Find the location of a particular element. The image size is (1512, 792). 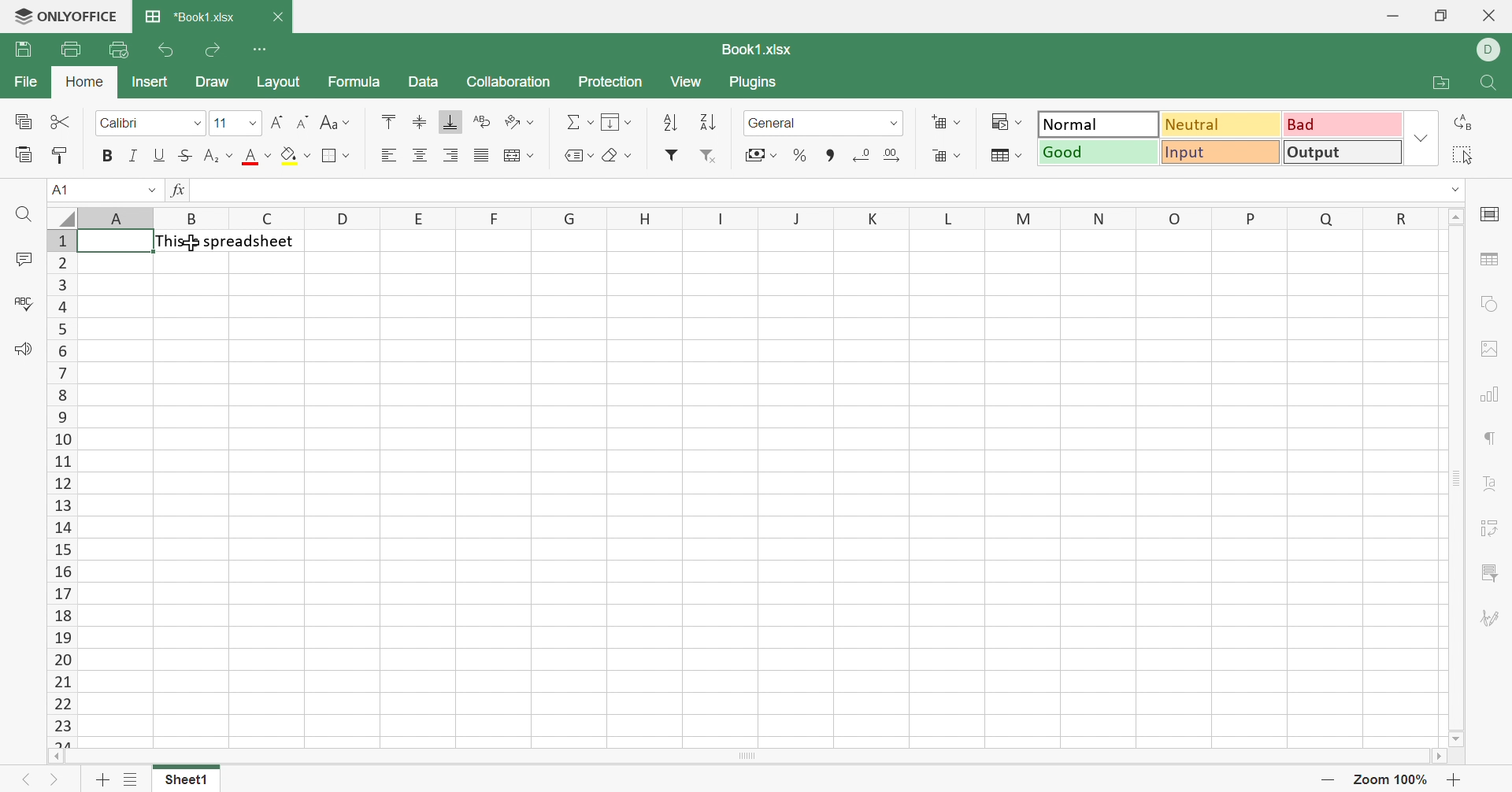

Restore Down is located at coordinates (1444, 17).